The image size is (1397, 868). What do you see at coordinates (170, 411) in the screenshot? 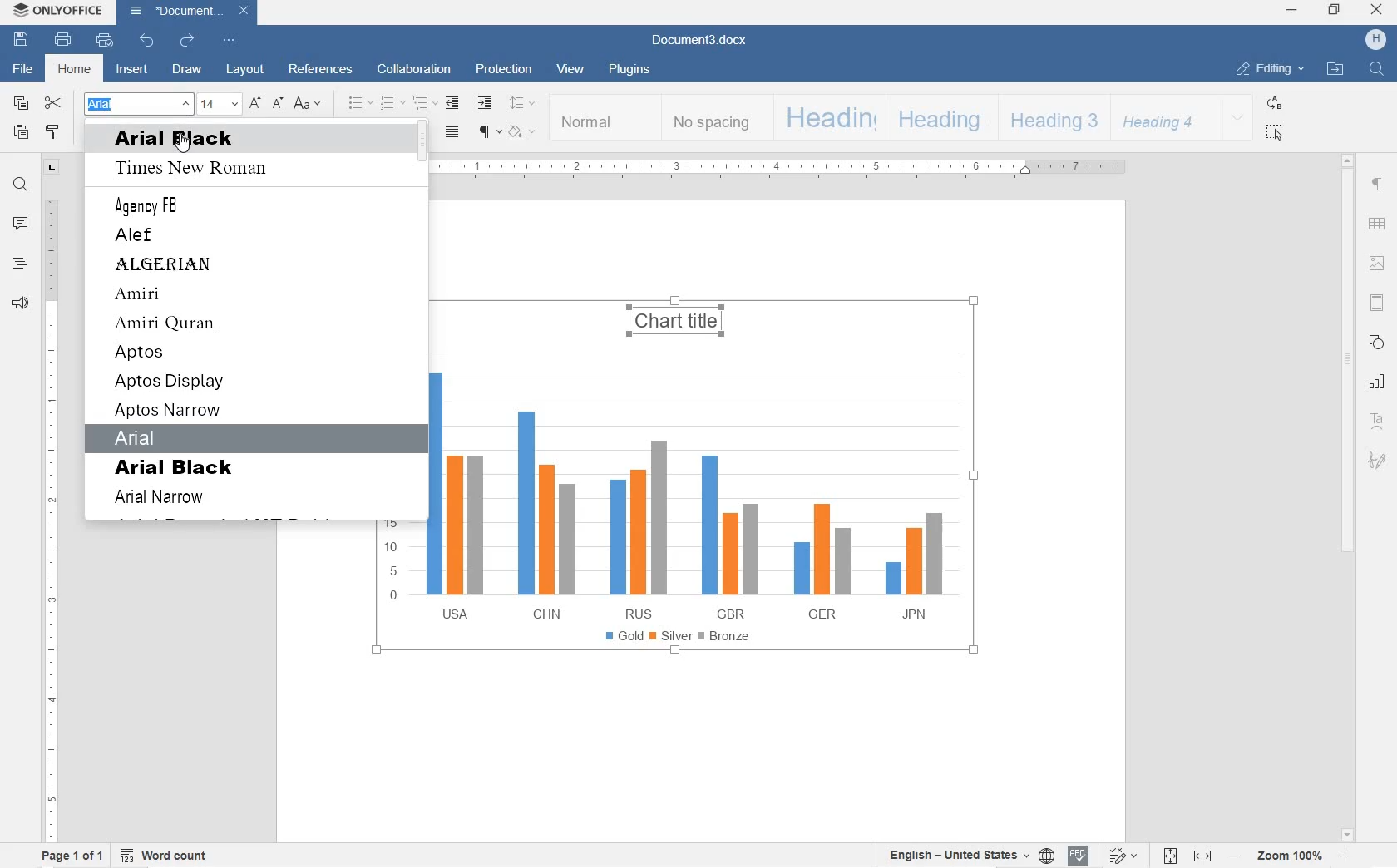
I see `APTOS NARROW` at bounding box center [170, 411].